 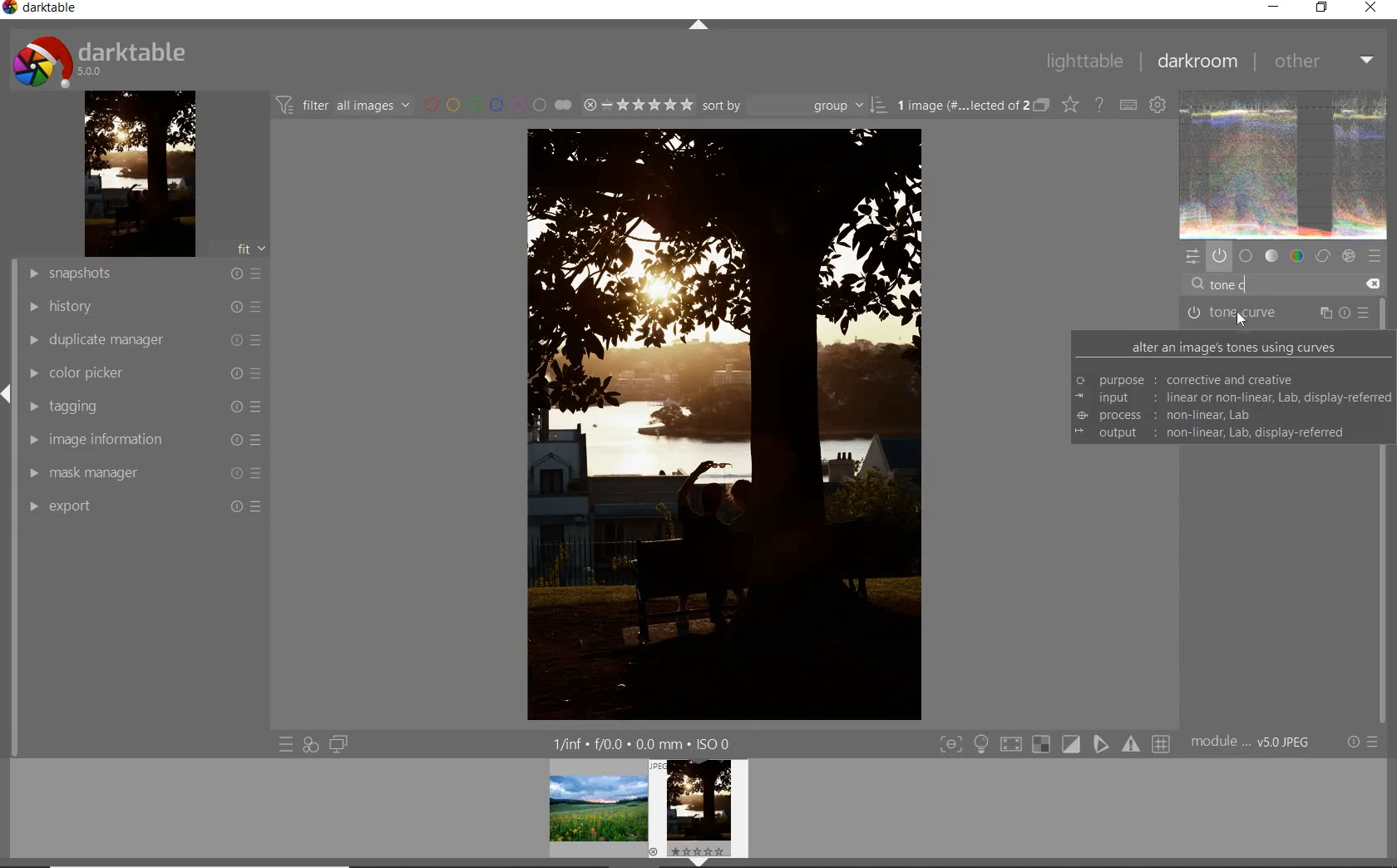 What do you see at coordinates (1071, 104) in the screenshot?
I see `change type of overlays` at bounding box center [1071, 104].